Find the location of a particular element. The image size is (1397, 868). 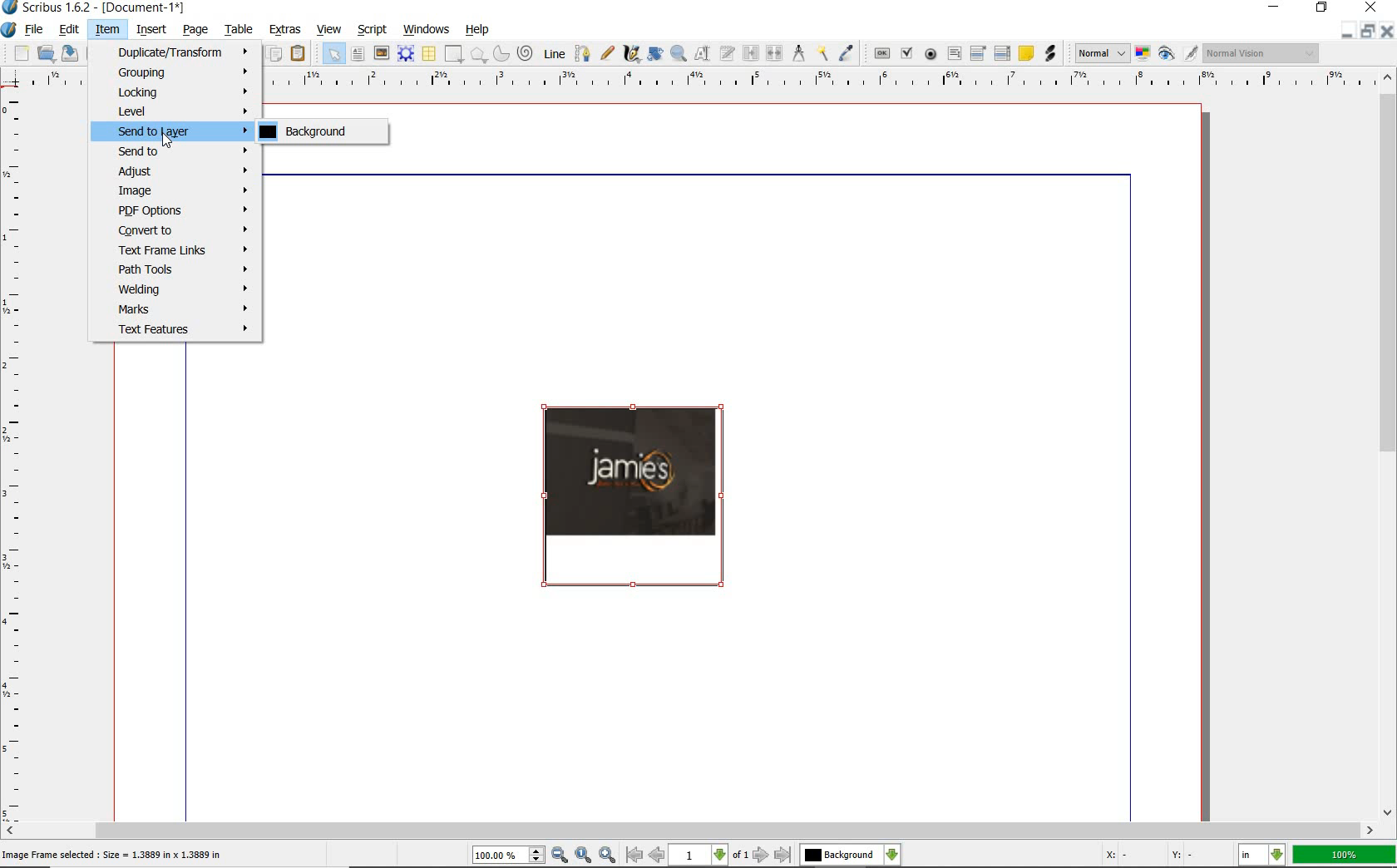

Zoom 100.00% is located at coordinates (508, 856).